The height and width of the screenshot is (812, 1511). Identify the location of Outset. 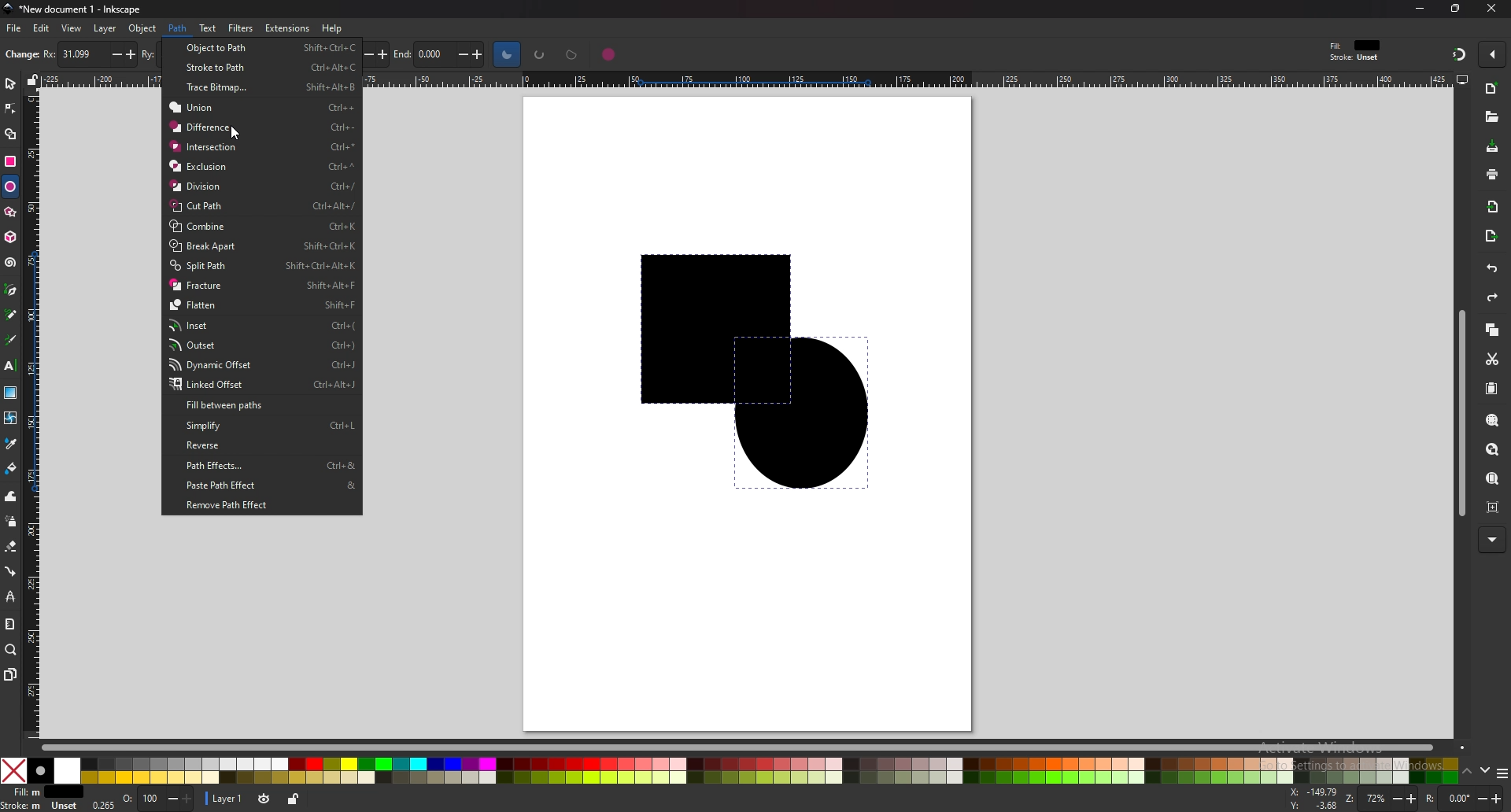
(261, 345).